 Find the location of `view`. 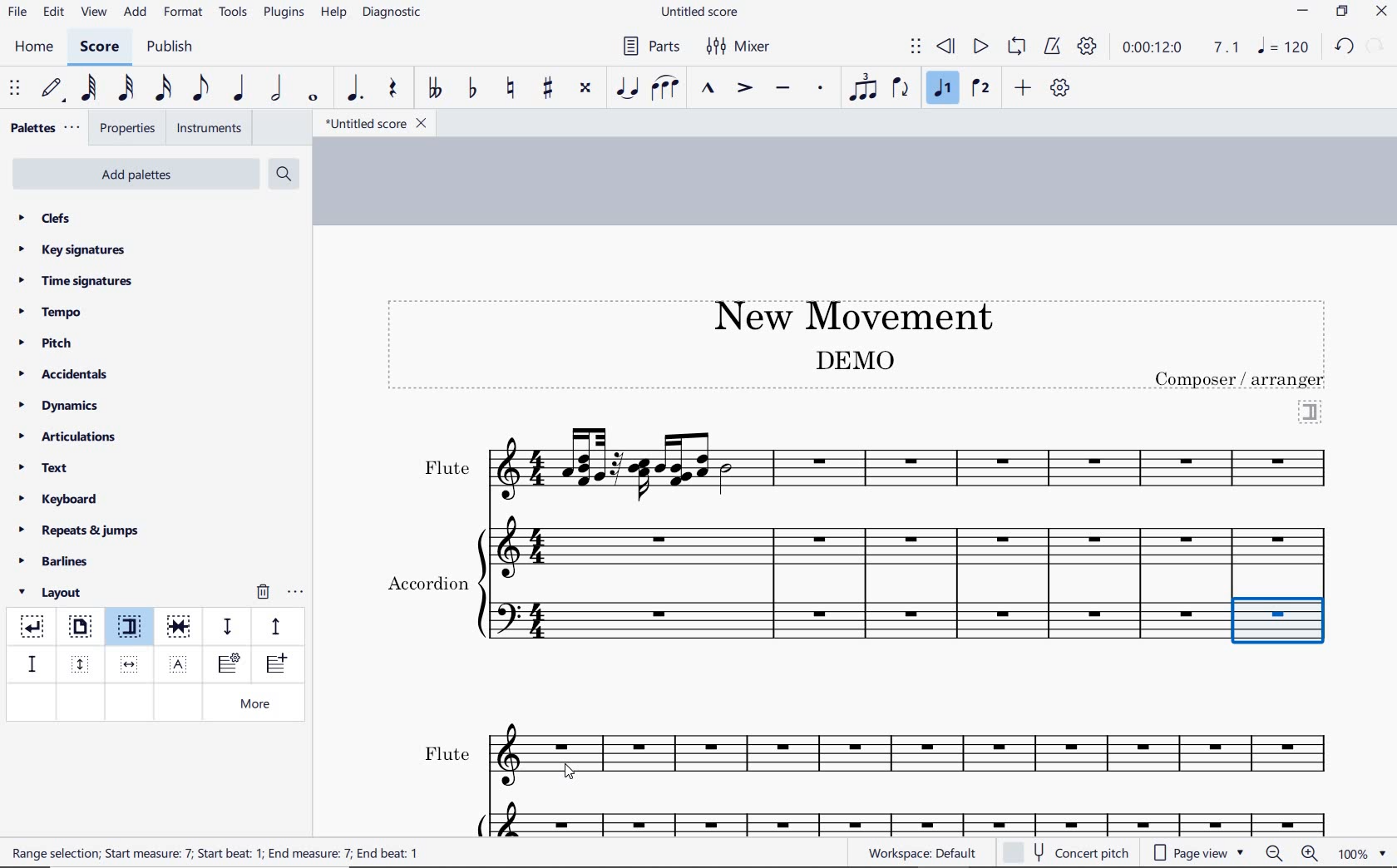

view is located at coordinates (91, 13).